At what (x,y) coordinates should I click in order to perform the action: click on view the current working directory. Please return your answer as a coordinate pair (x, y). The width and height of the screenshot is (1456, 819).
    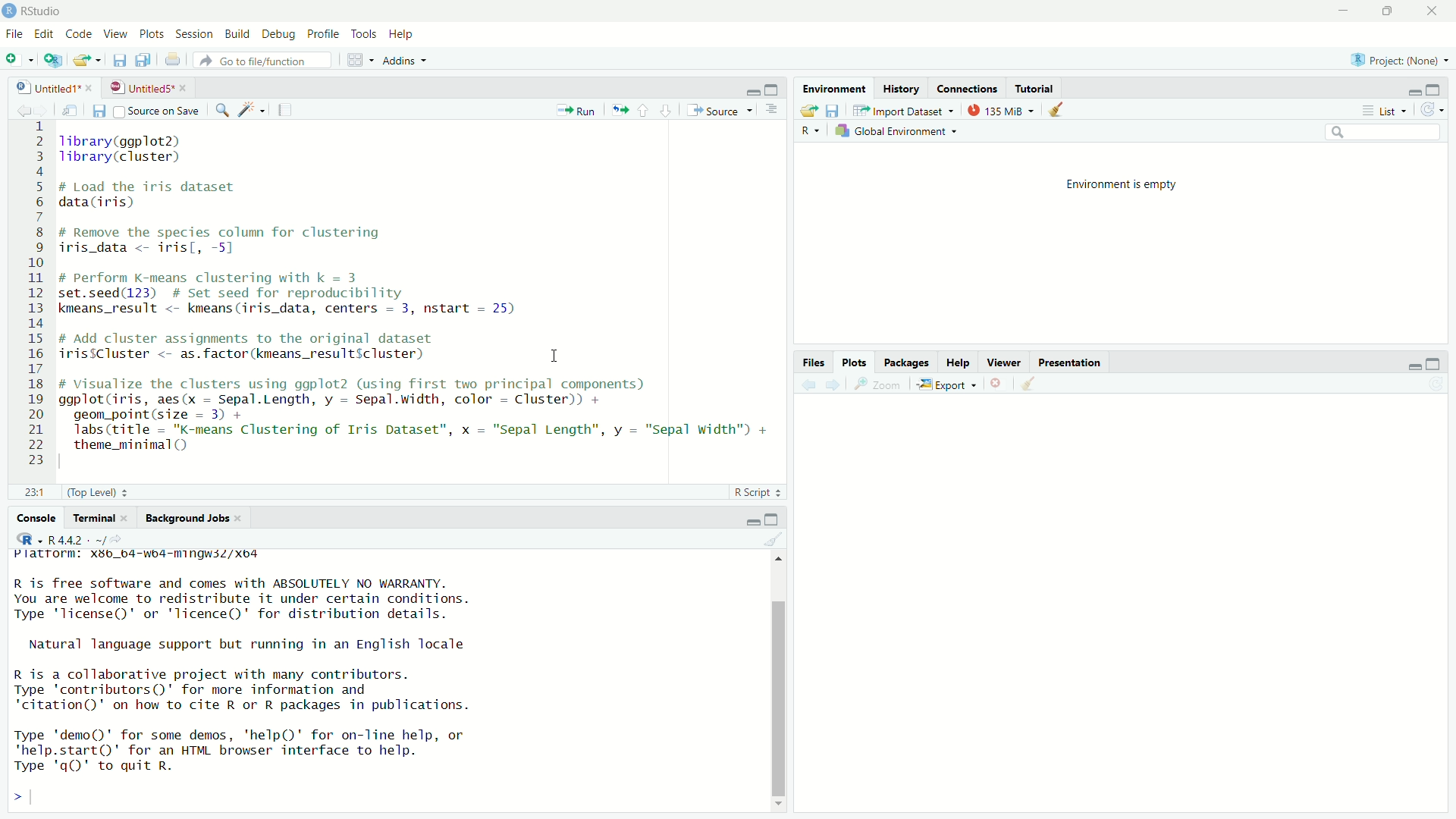
    Looking at the image, I should click on (121, 539).